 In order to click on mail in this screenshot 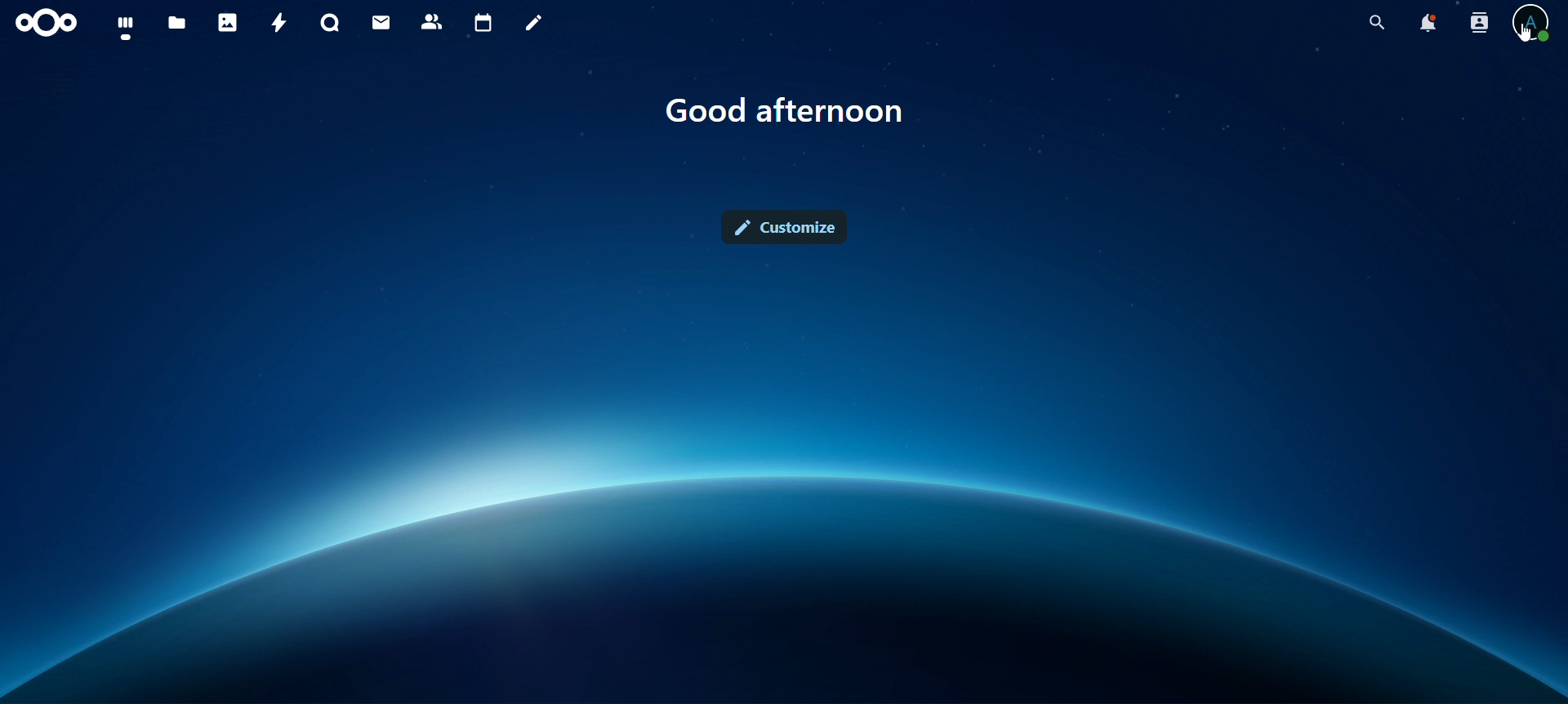, I will do `click(381, 22)`.